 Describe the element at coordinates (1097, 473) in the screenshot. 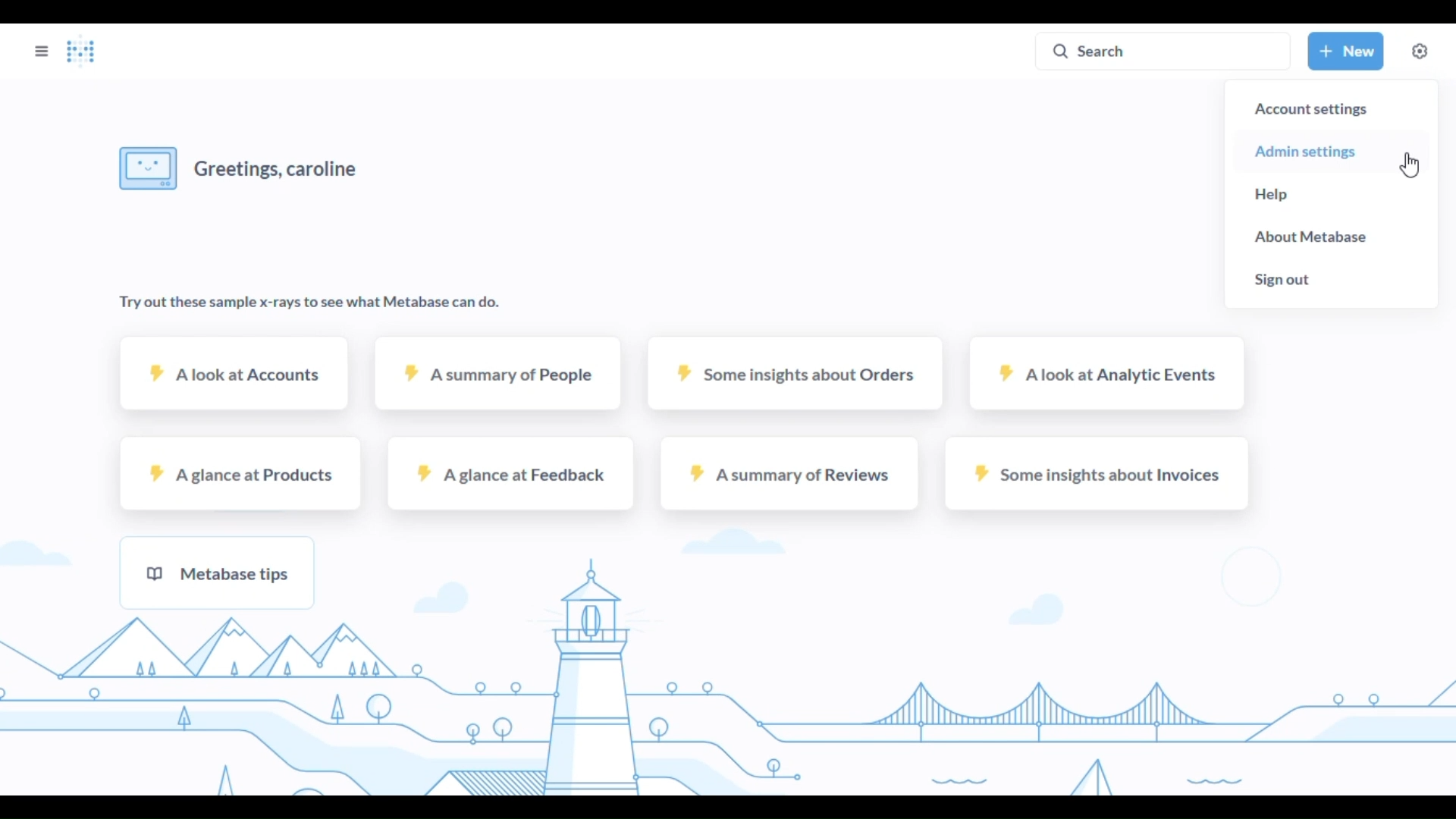

I see `some insights about invoices` at that location.